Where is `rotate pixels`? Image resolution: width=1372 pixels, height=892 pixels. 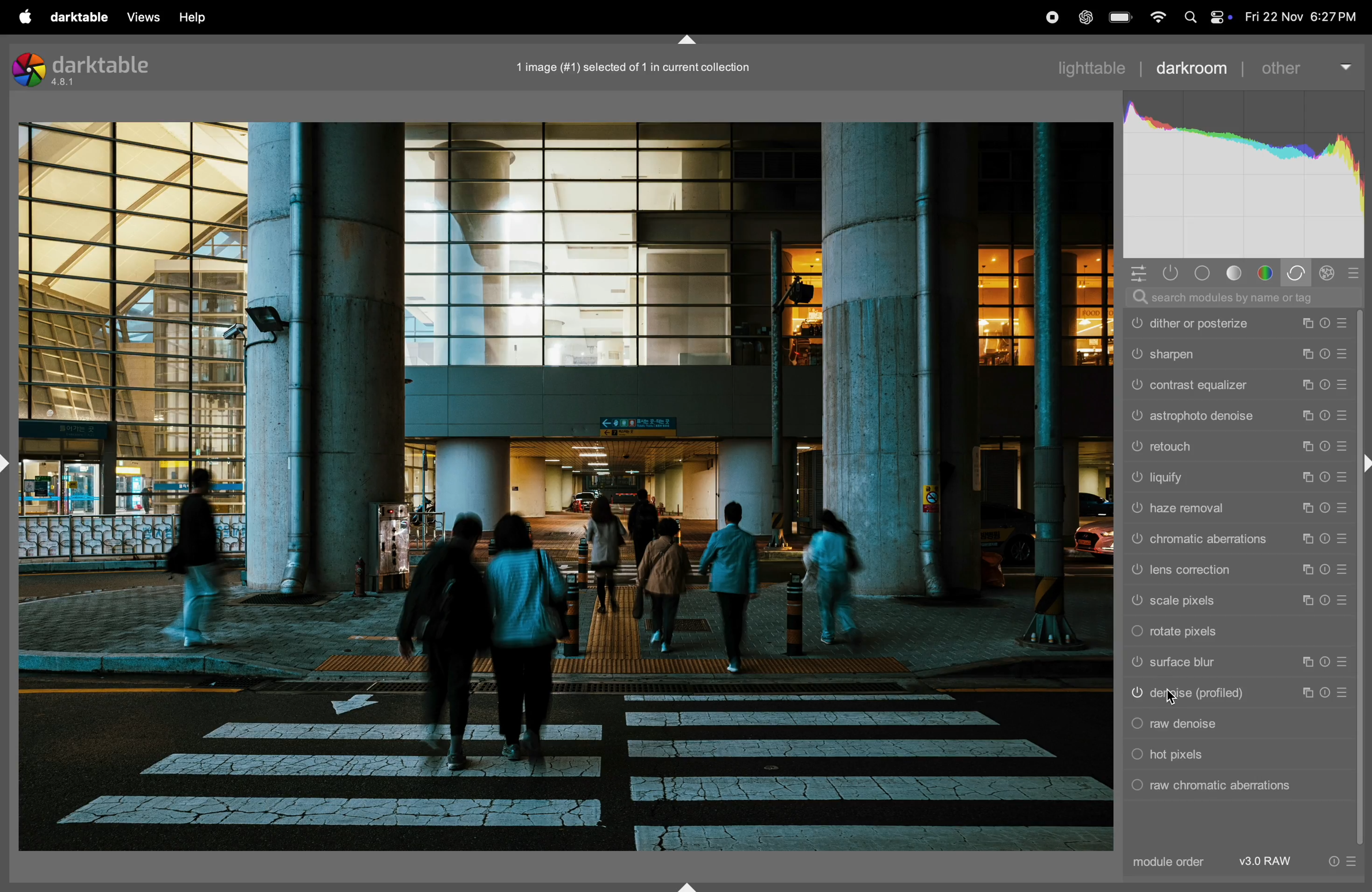 rotate pixels is located at coordinates (1238, 630).